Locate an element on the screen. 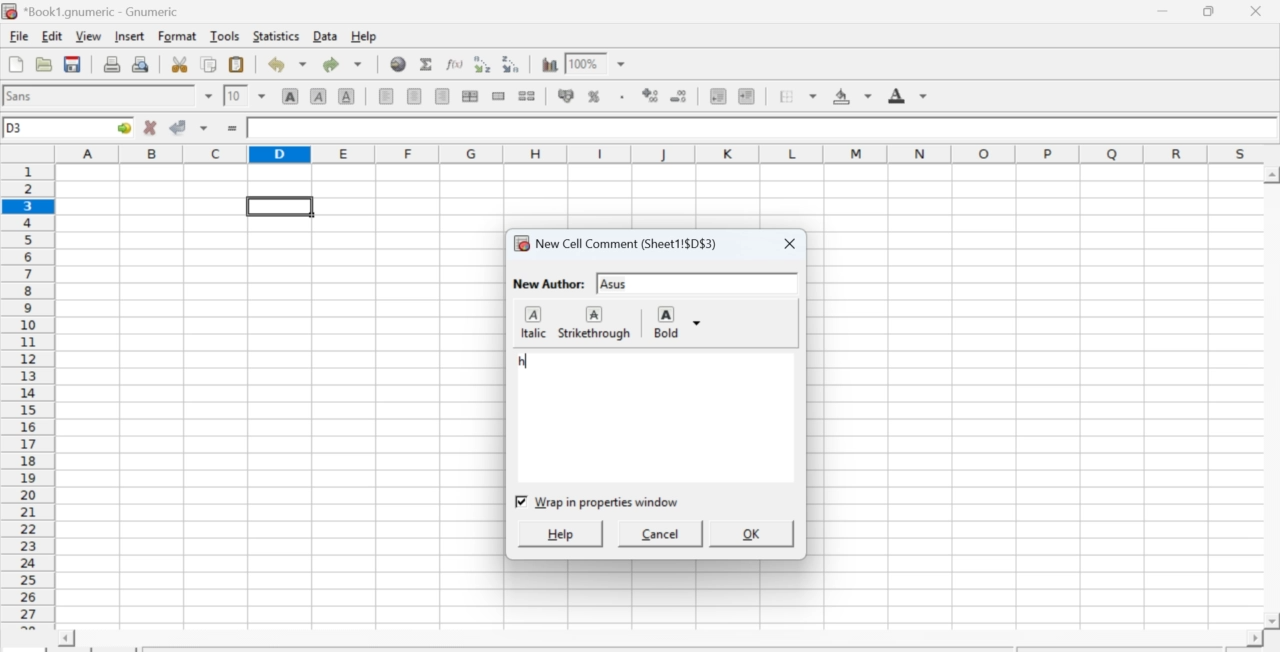 This screenshot has height=652, width=1280. Font Size is located at coordinates (244, 95).